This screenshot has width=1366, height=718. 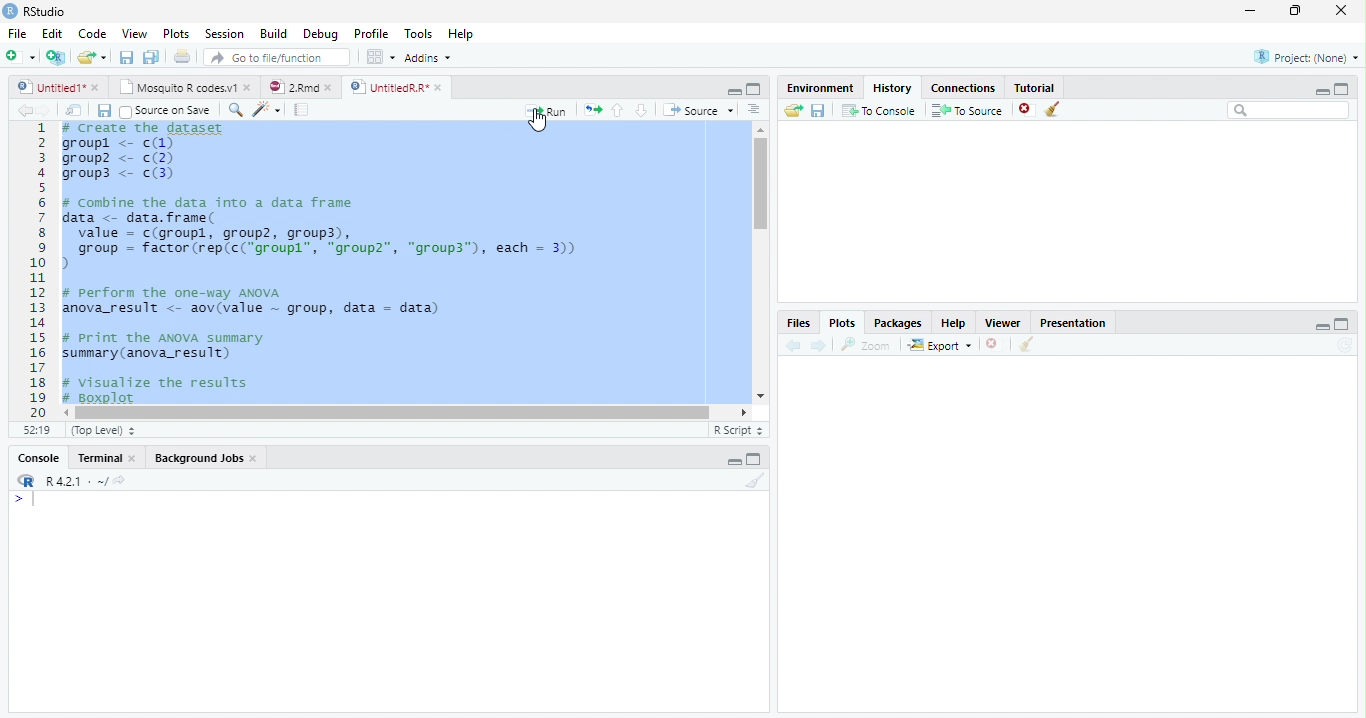 I want to click on Terminal, so click(x=108, y=458).